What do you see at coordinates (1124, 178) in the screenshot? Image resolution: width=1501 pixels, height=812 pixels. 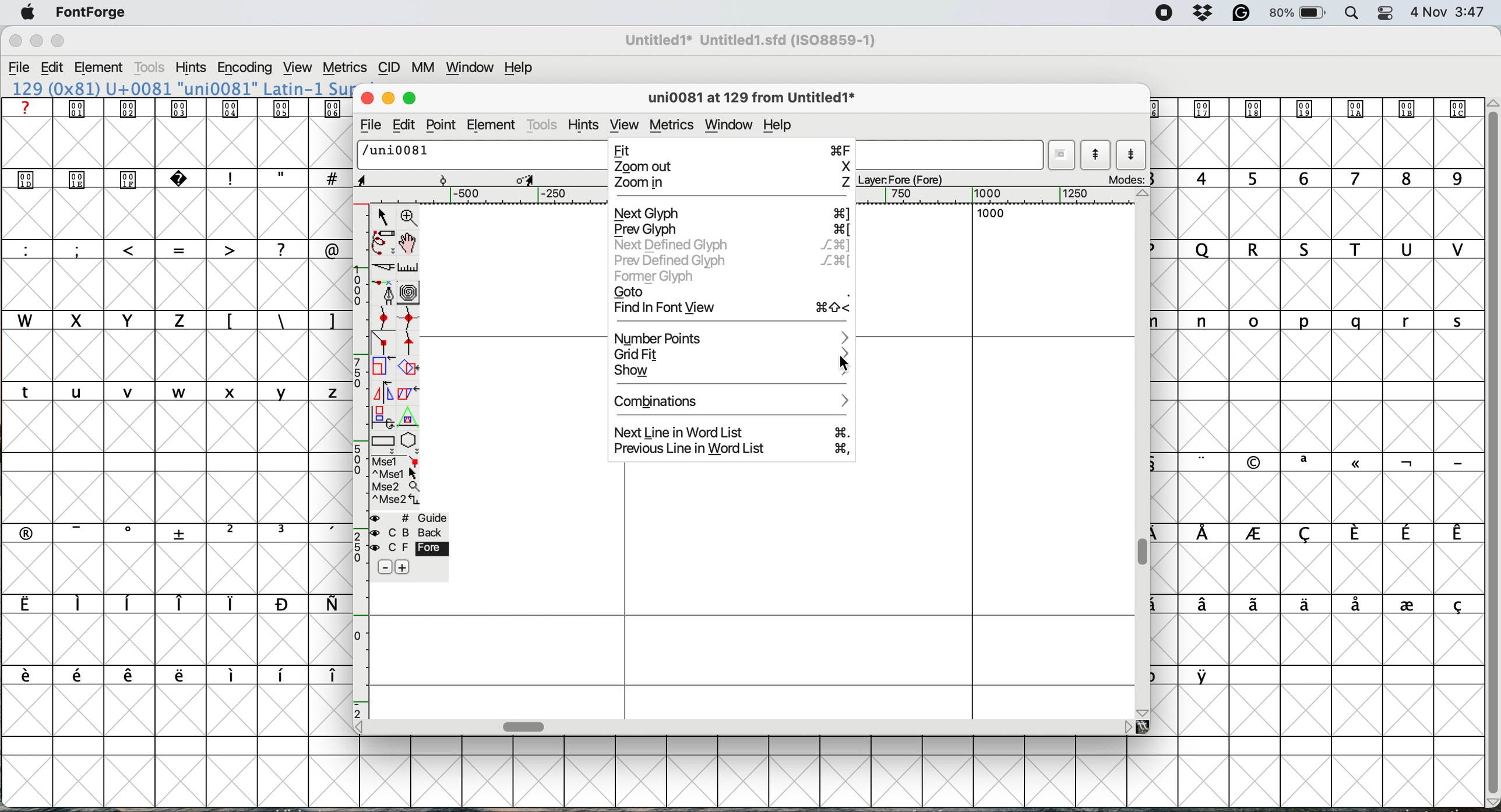 I see `modes` at bounding box center [1124, 178].